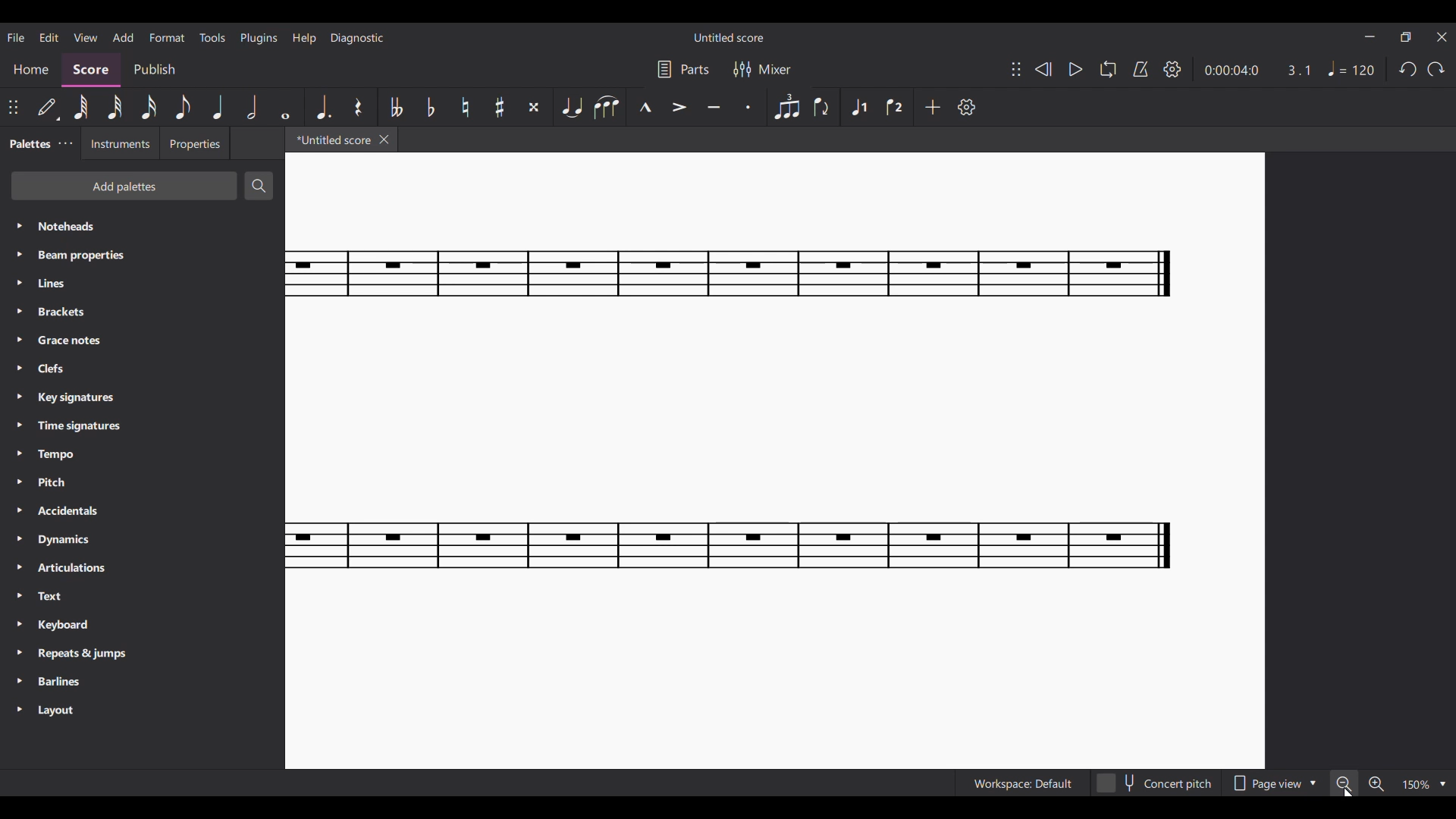 This screenshot has height=819, width=1456. I want to click on 8th note, so click(183, 107).